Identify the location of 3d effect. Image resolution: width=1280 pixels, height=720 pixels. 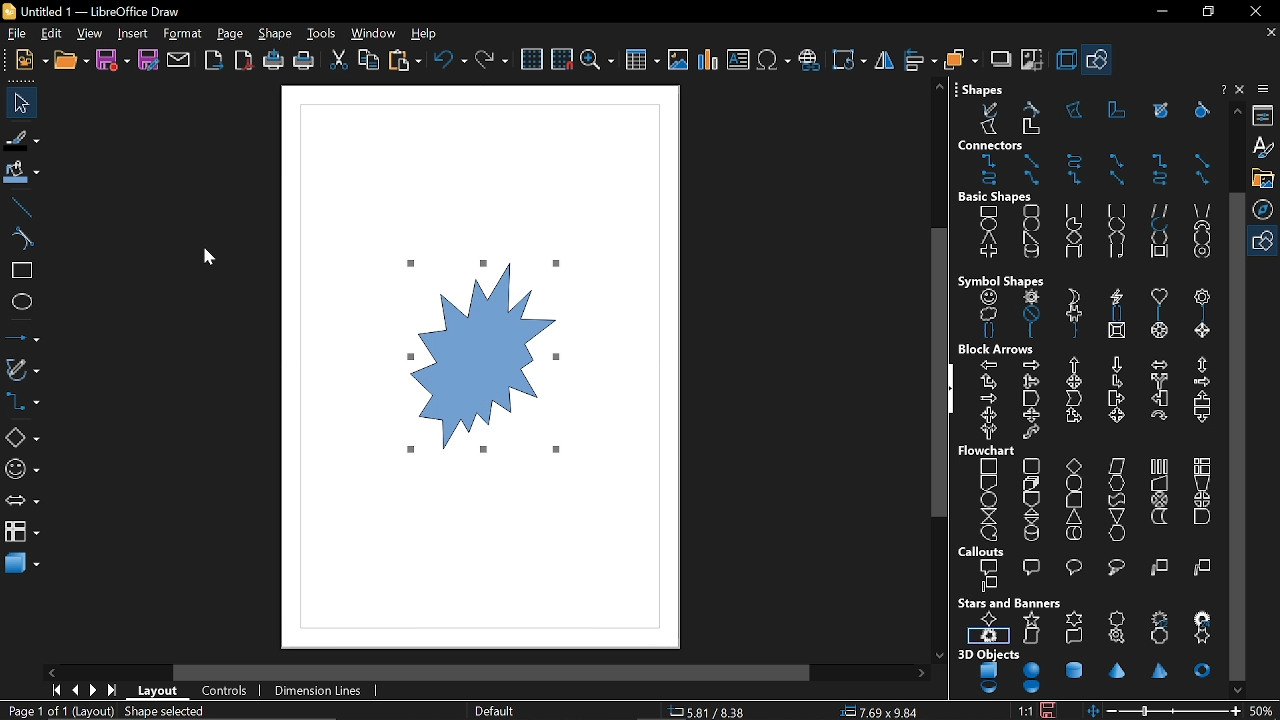
(1065, 60).